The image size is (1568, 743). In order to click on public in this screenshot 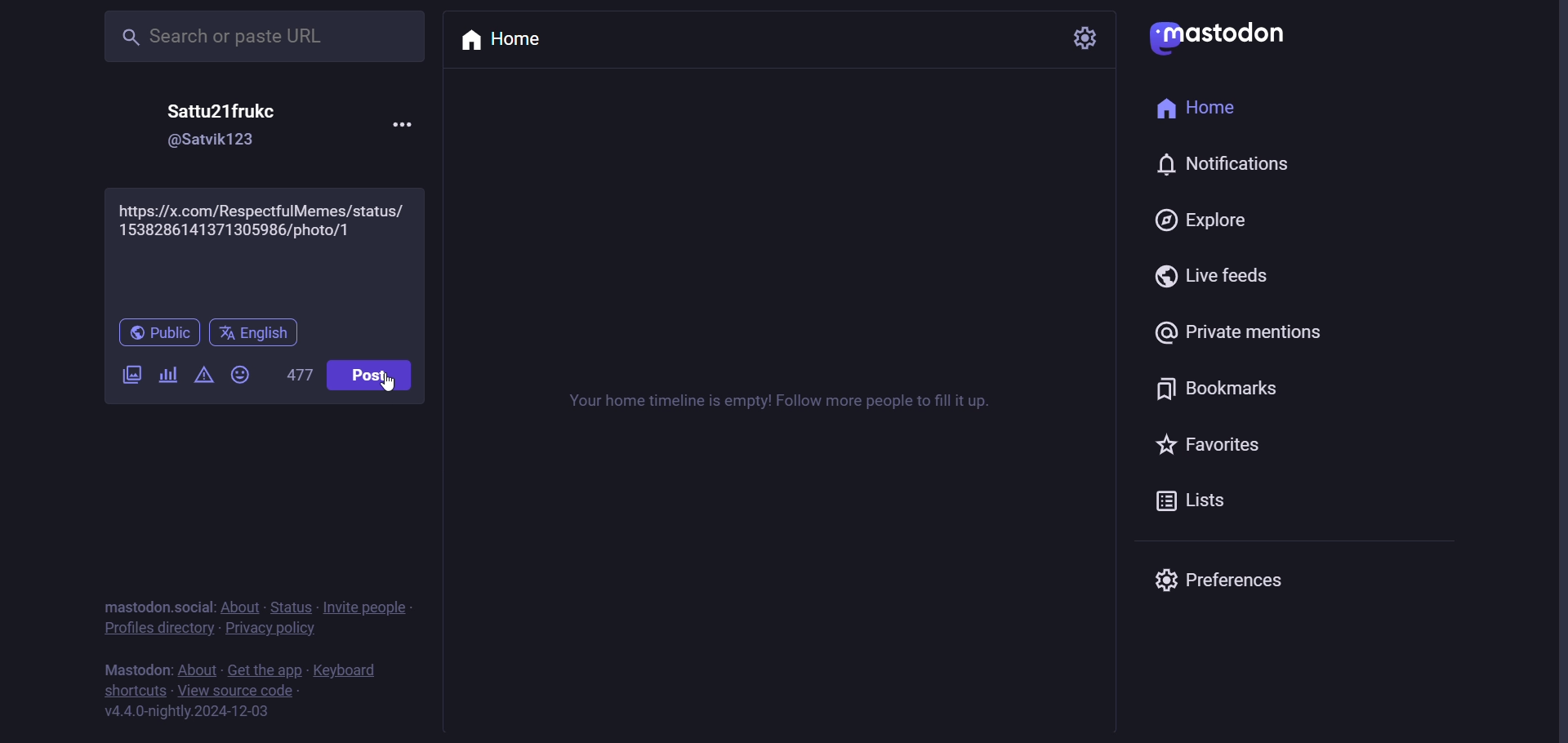, I will do `click(156, 332)`.